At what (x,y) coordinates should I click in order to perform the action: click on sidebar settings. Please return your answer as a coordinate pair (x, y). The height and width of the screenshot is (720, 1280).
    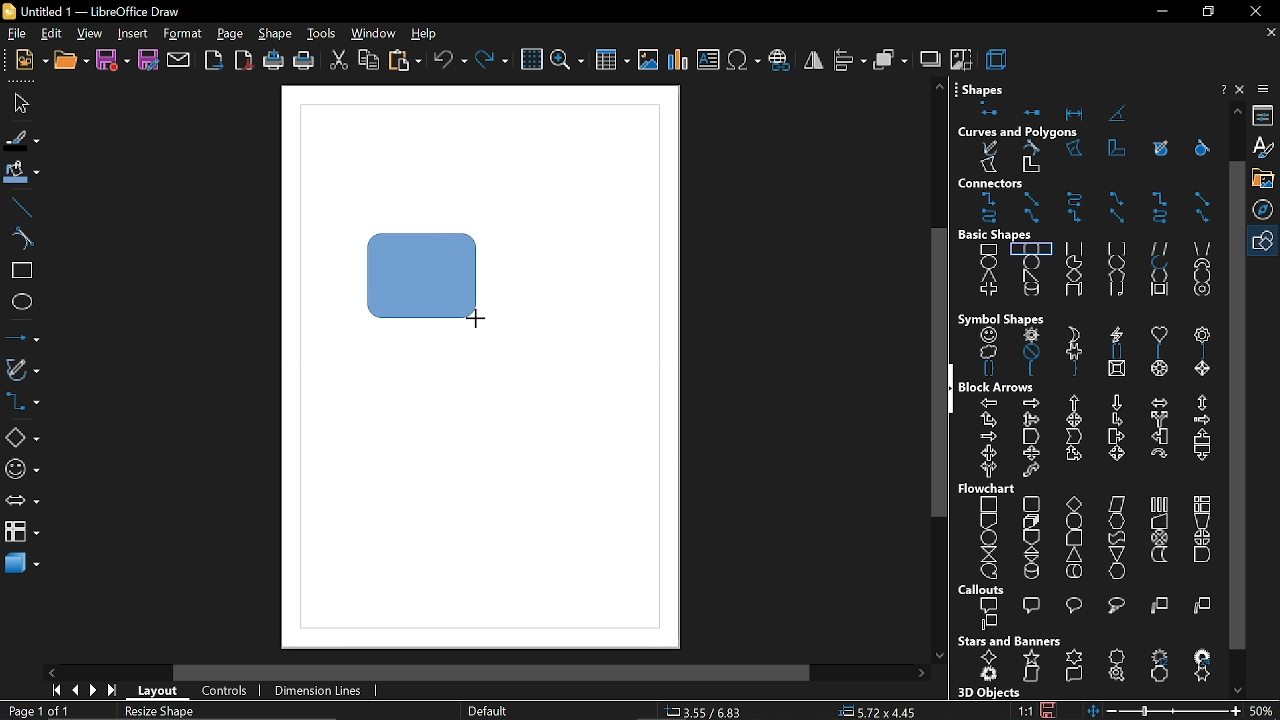
    Looking at the image, I should click on (1265, 89).